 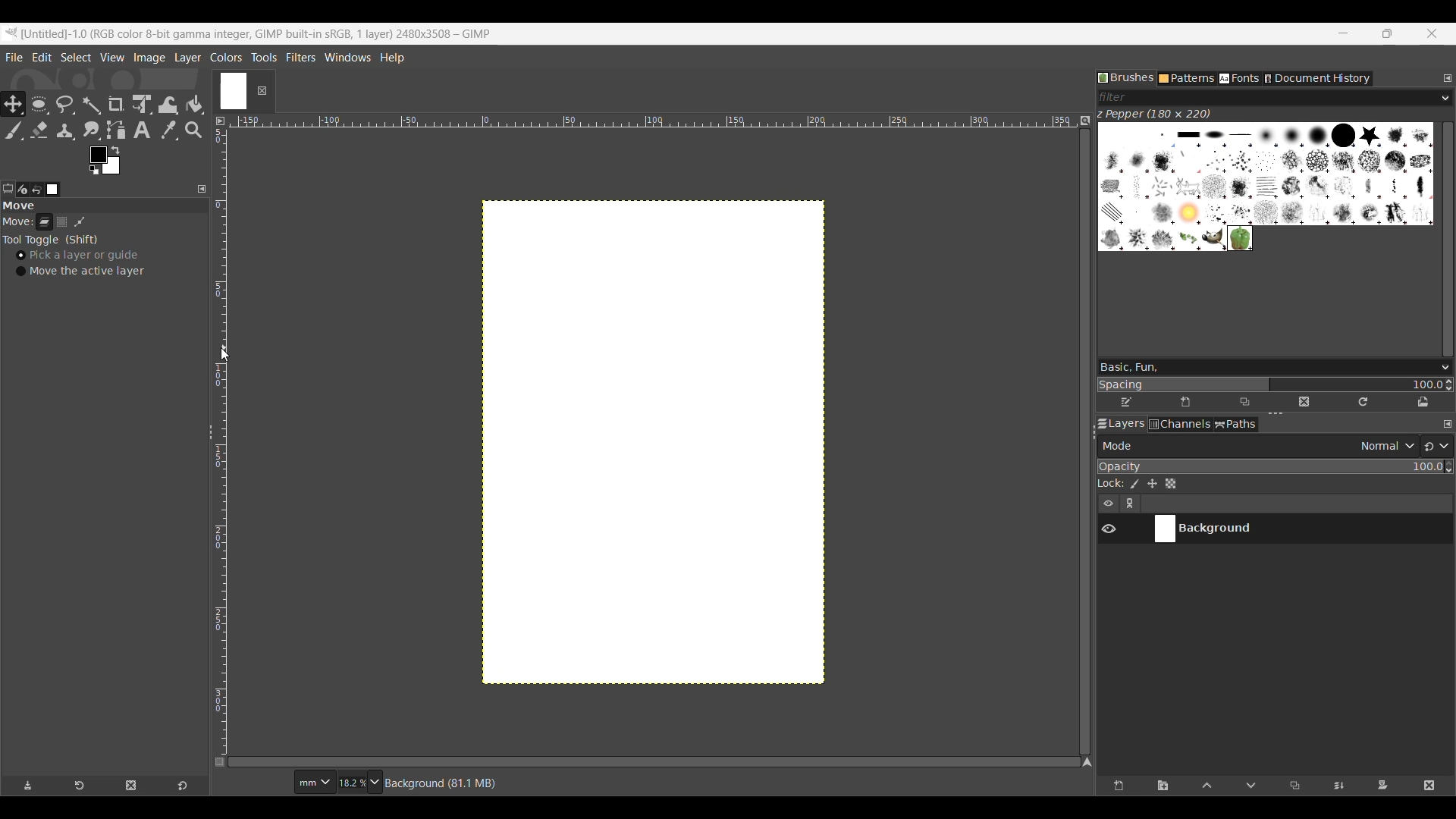 I want to click on Toggle quick mask on/off, so click(x=221, y=763).